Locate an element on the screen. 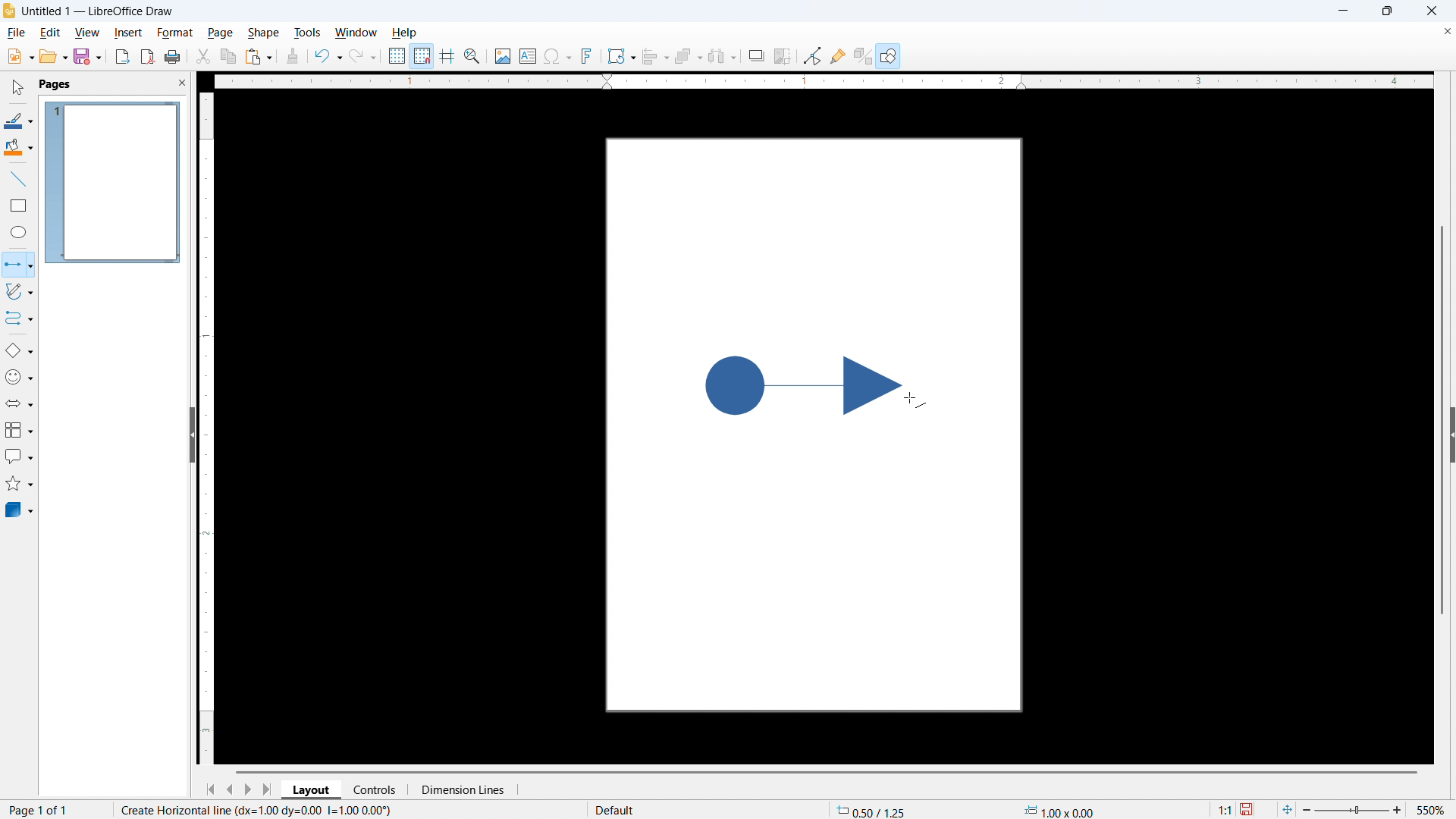 Image resolution: width=1456 pixels, height=819 pixels. Maximise  is located at coordinates (1388, 11).